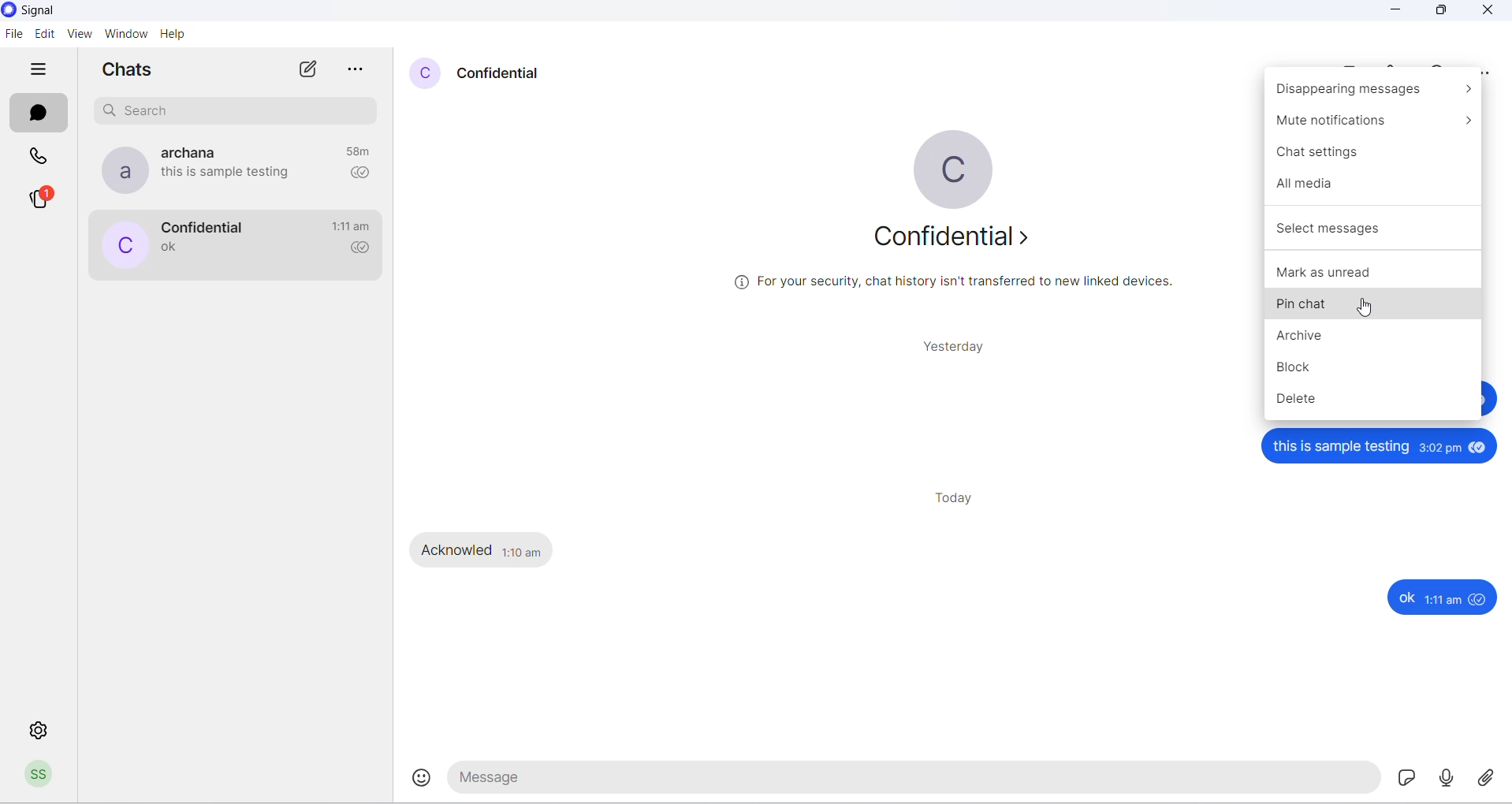 The height and width of the screenshot is (804, 1512). Describe the element at coordinates (207, 225) in the screenshot. I see `contact name` at that location.